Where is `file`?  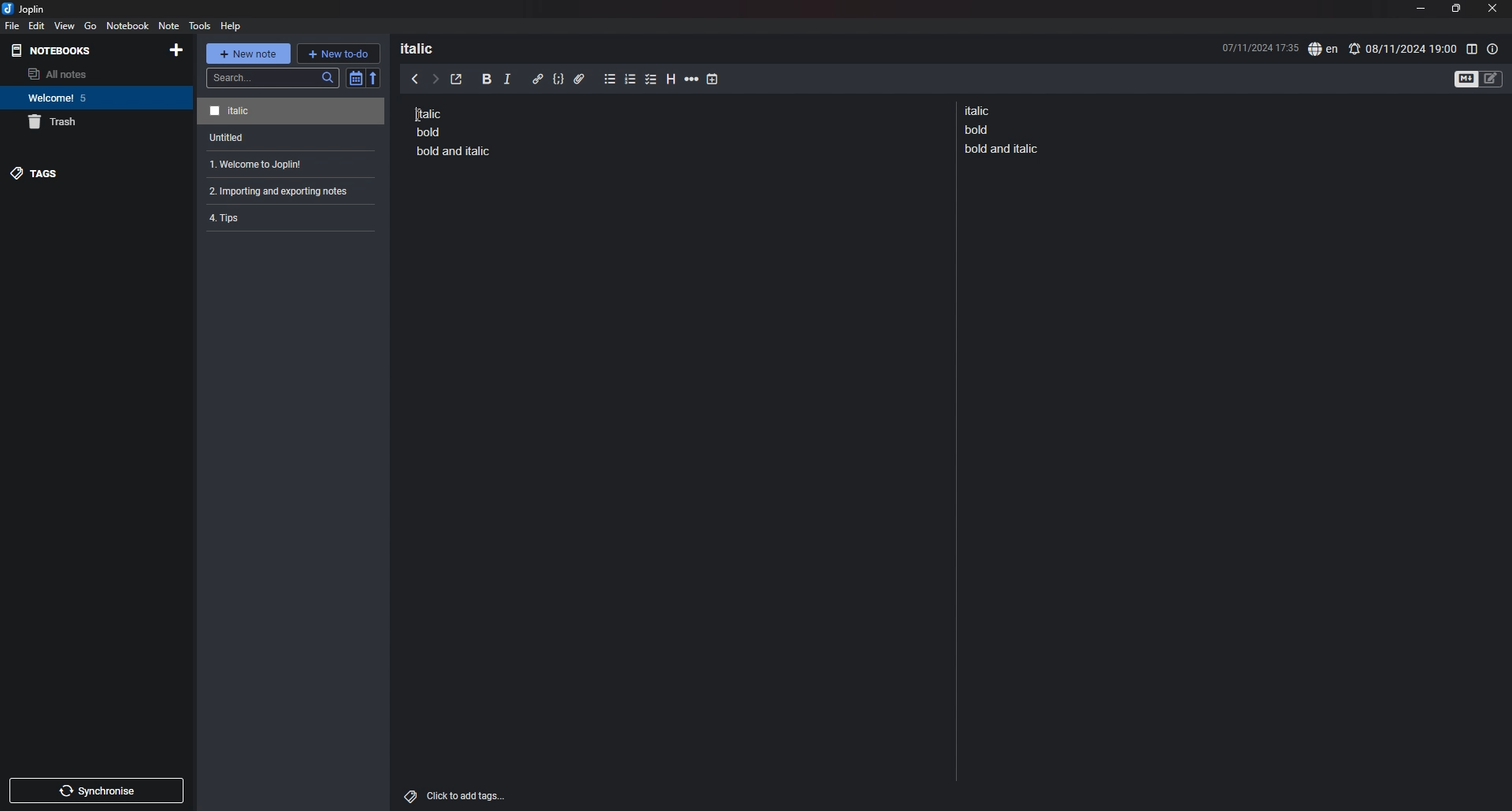 file is located at coordinates (13, 25).